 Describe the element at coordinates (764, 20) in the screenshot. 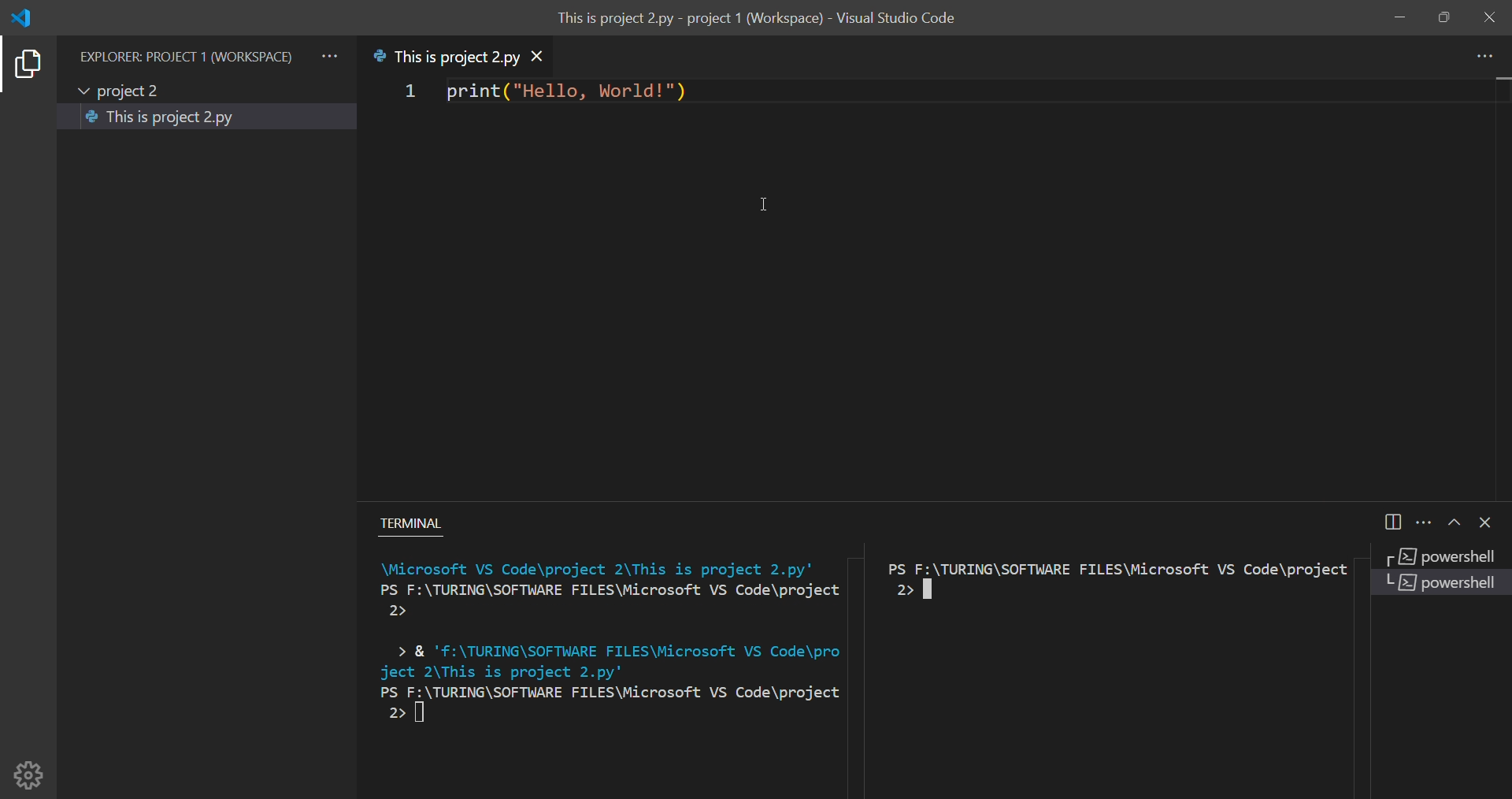

I see `This is project 2.py - project 1 (Workspace) - Visual Studio Code` at that location.